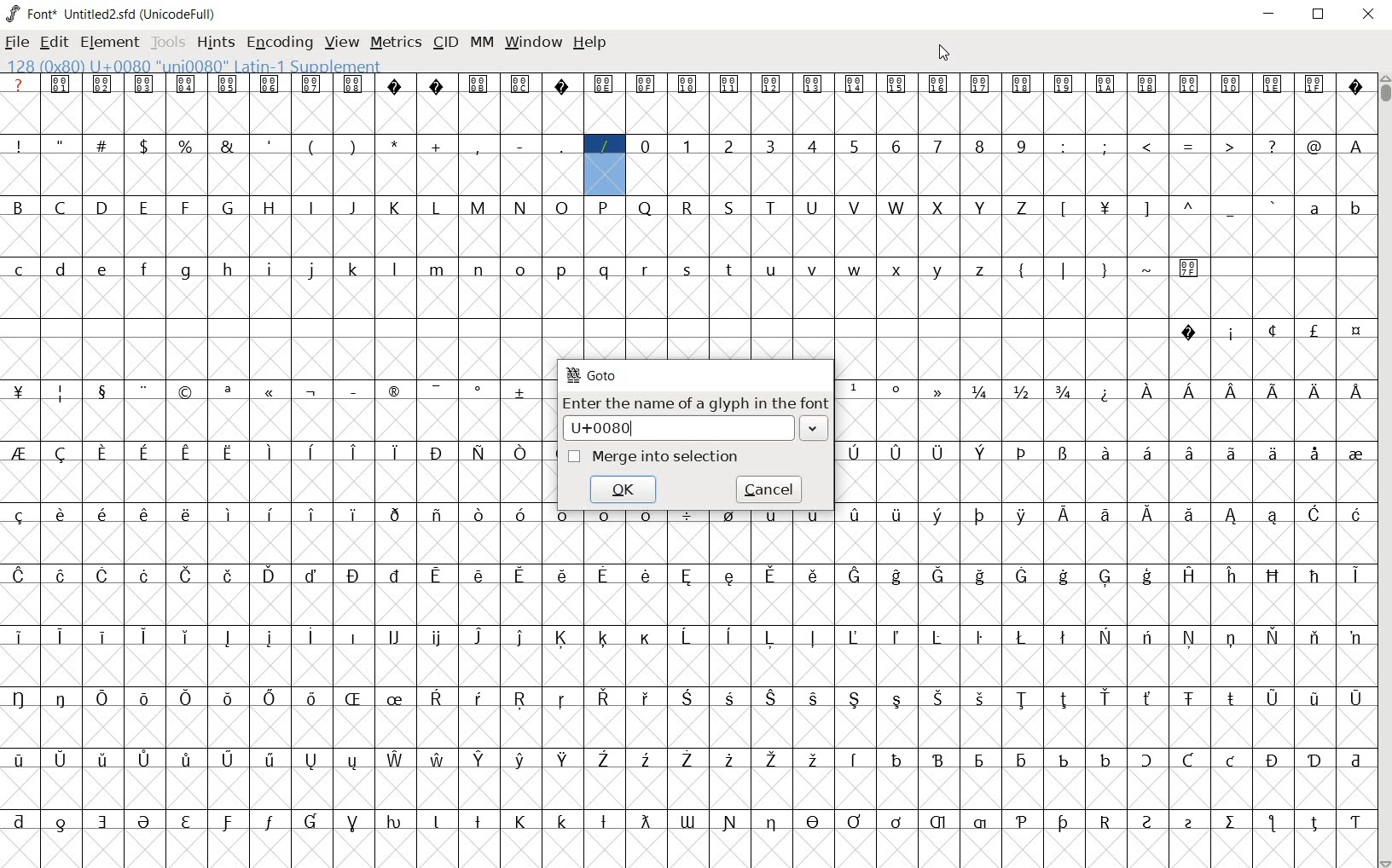  What do you see at coordinates (1355, 699) in the screenshot?
I see `glyph` at bounding box center [1355, 699].